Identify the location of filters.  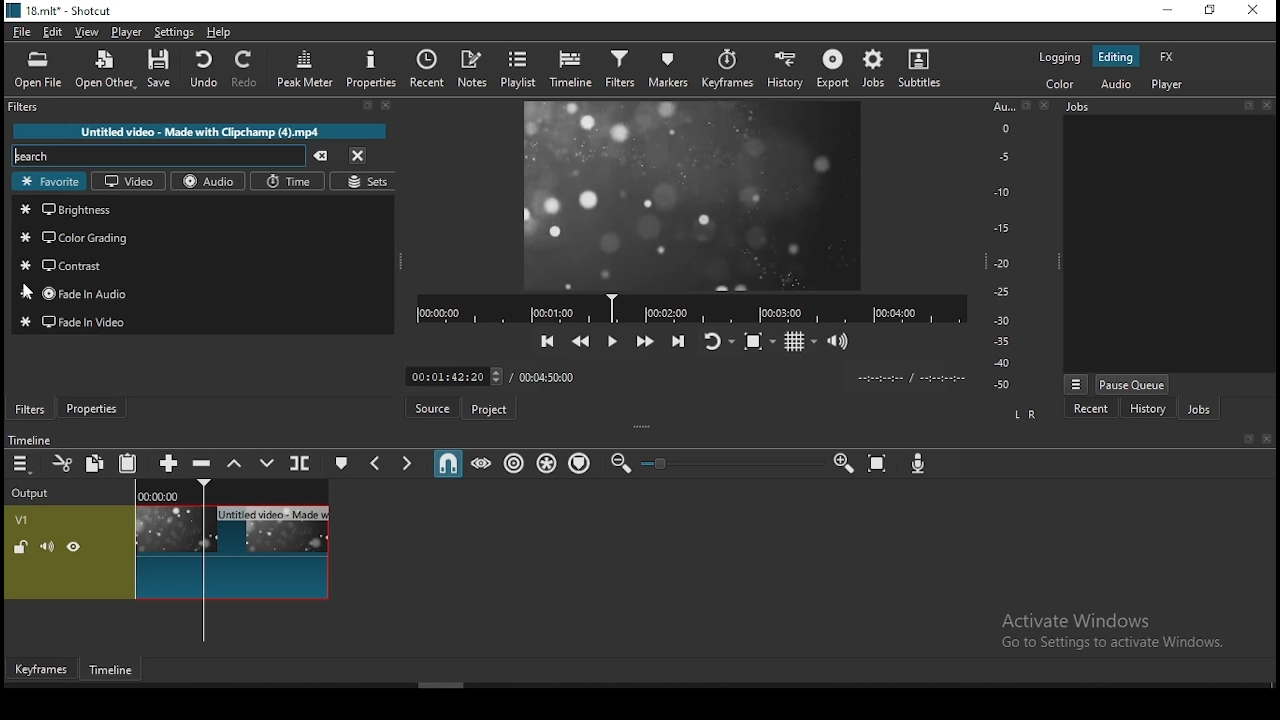
(620, 70).